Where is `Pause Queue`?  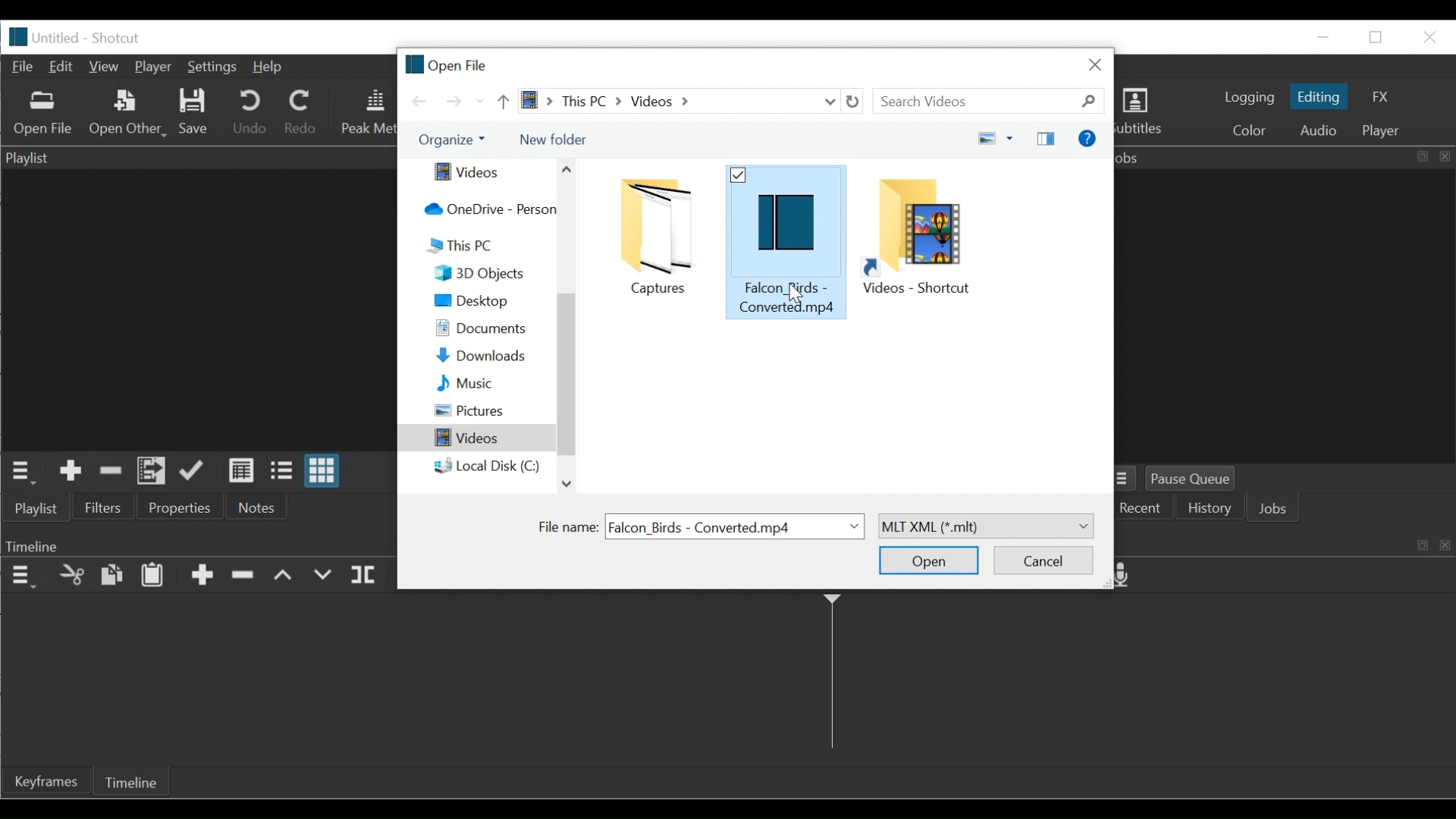
Pause Queue is located at coordinates (1198, 479).